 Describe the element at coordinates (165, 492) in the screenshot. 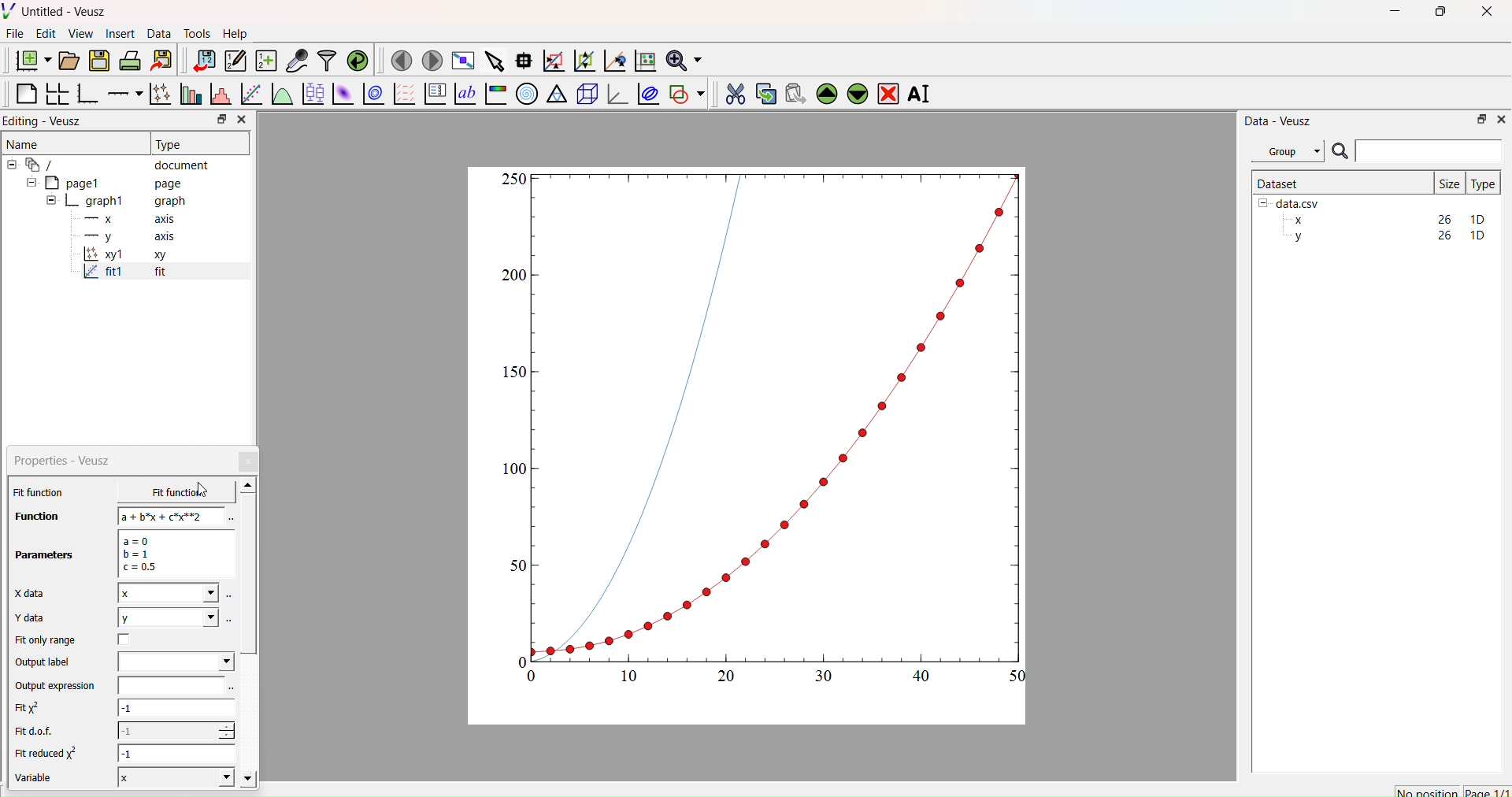

I see `x` at that location.